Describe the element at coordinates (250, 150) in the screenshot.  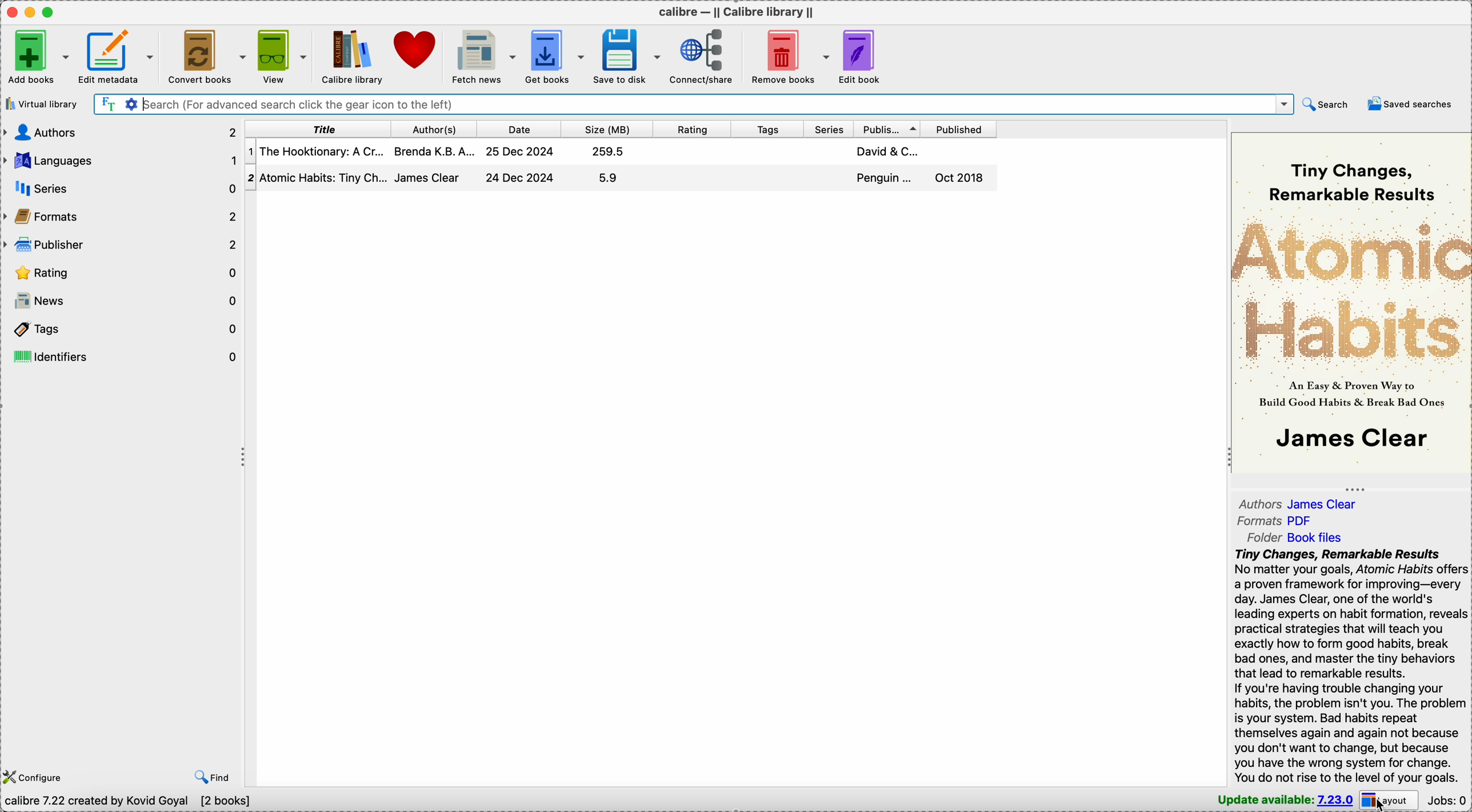
I see `1` at that location.